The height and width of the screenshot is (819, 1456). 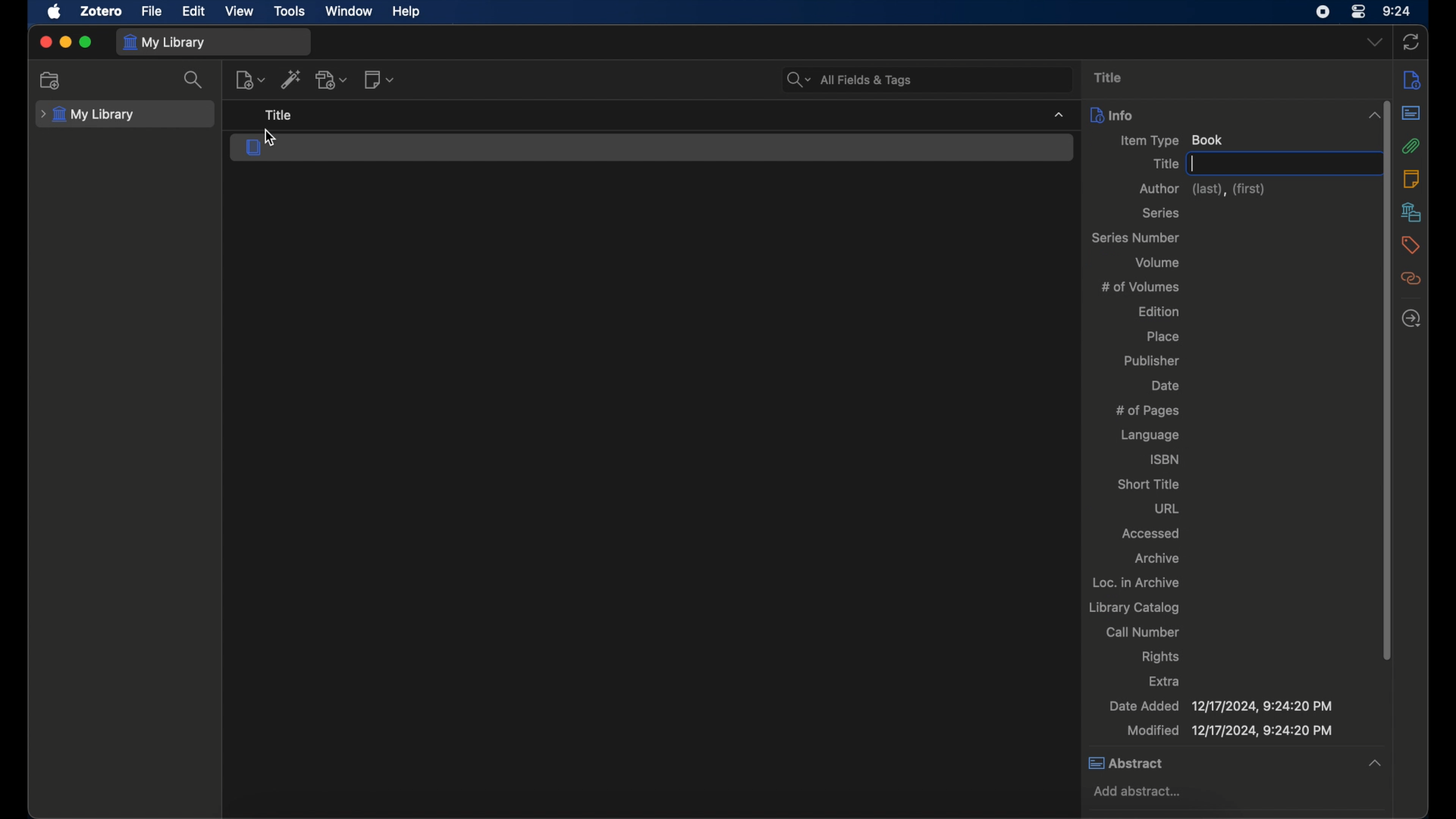 What do you see at coordinates (291, 79) in the screenshot?
I see `add items` at bounding box center [291, 79].